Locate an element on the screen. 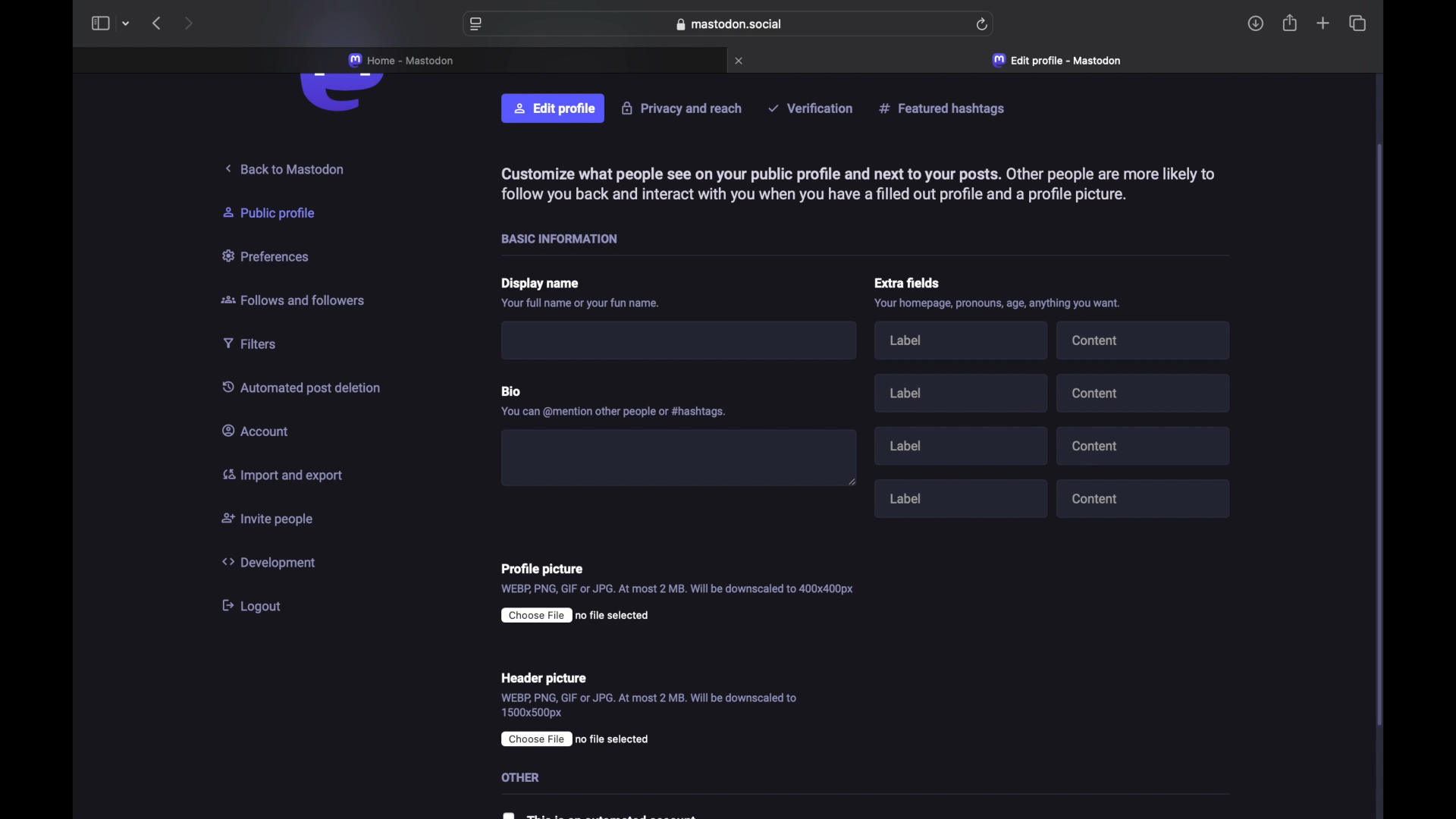 Image resolution: width=1456 pixels, height=819 pixels. WEBP PNG. GIF or JPG. At most 2 MB. Will be downscaled to 400x400px is located at coordinates (686, 588).